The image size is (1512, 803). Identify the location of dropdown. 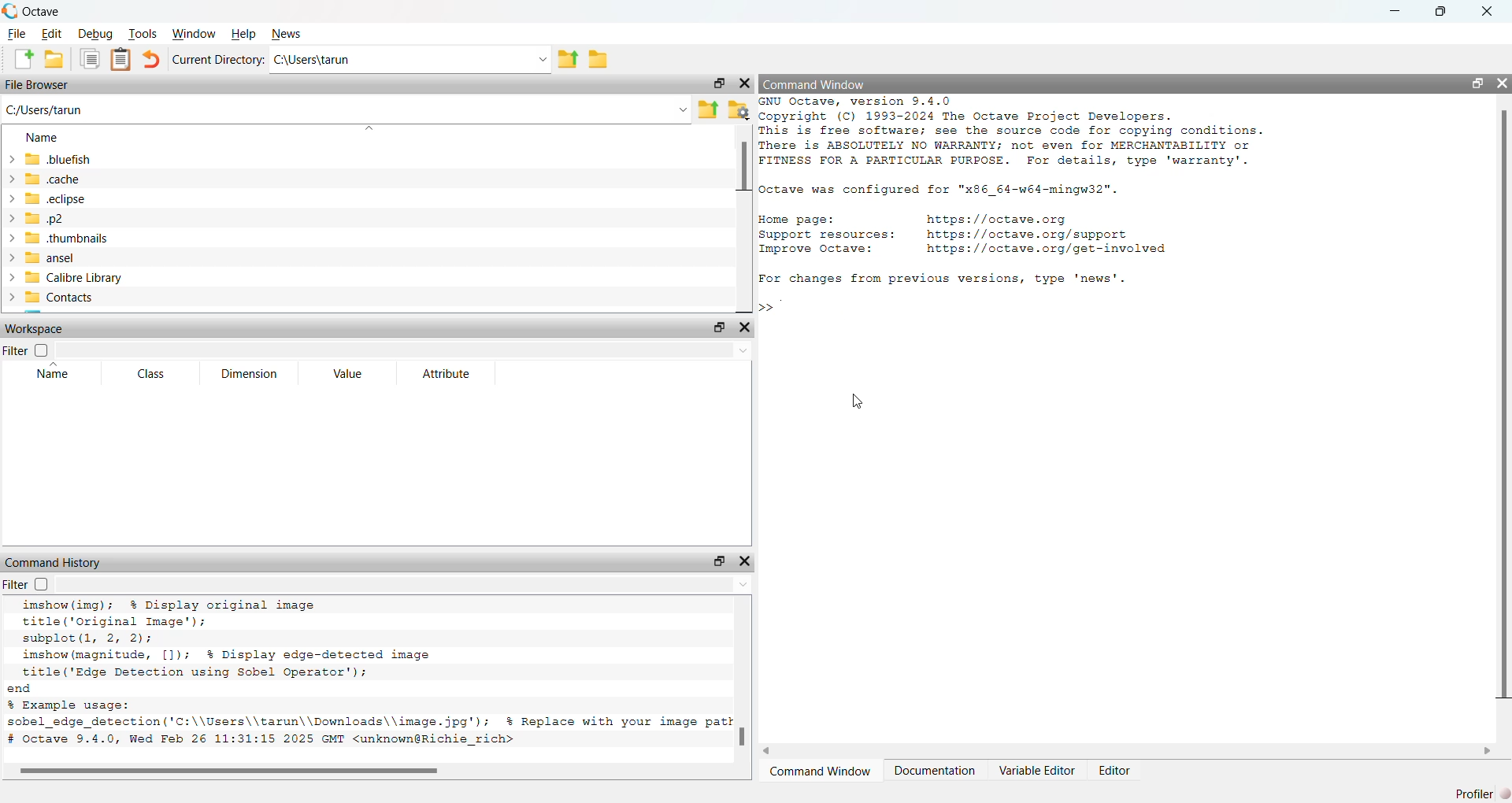
(405, 584).